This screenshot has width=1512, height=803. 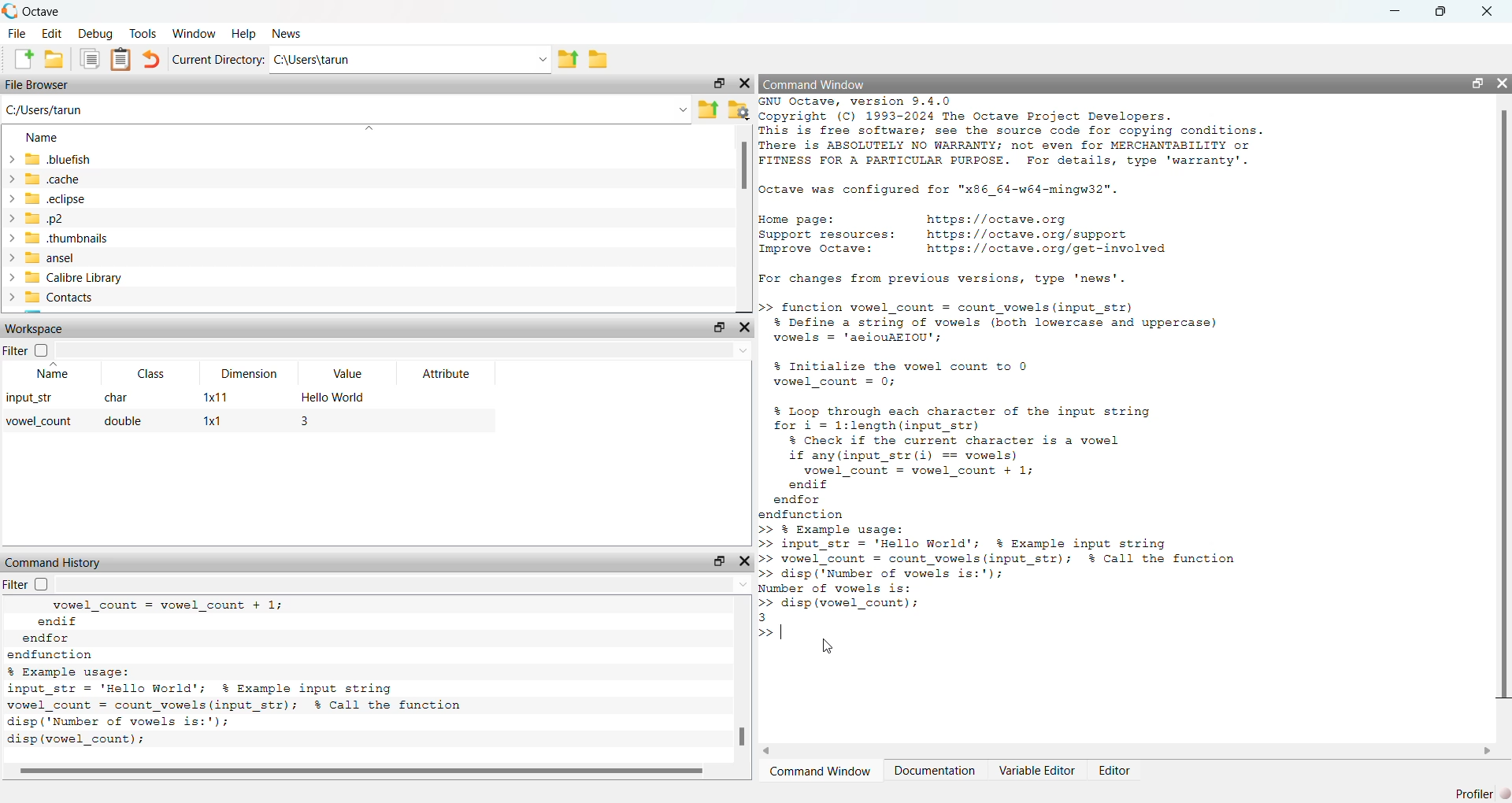 I want to click on expand/collapse, so click(x=11, y=277).